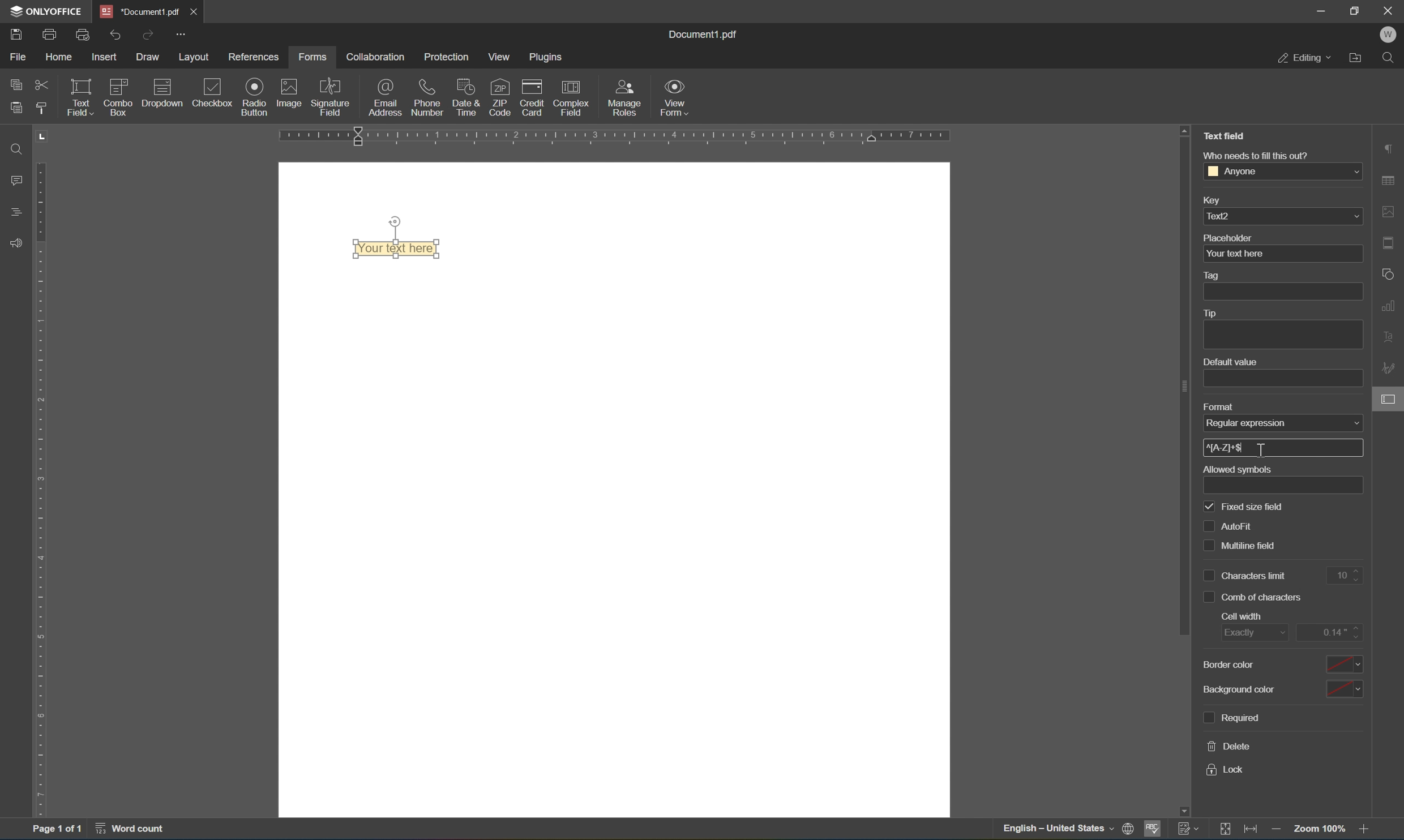 Image resolution: width=1404 pixels, height=840 pixels. I want to click on set document language, so click(1067, 830).